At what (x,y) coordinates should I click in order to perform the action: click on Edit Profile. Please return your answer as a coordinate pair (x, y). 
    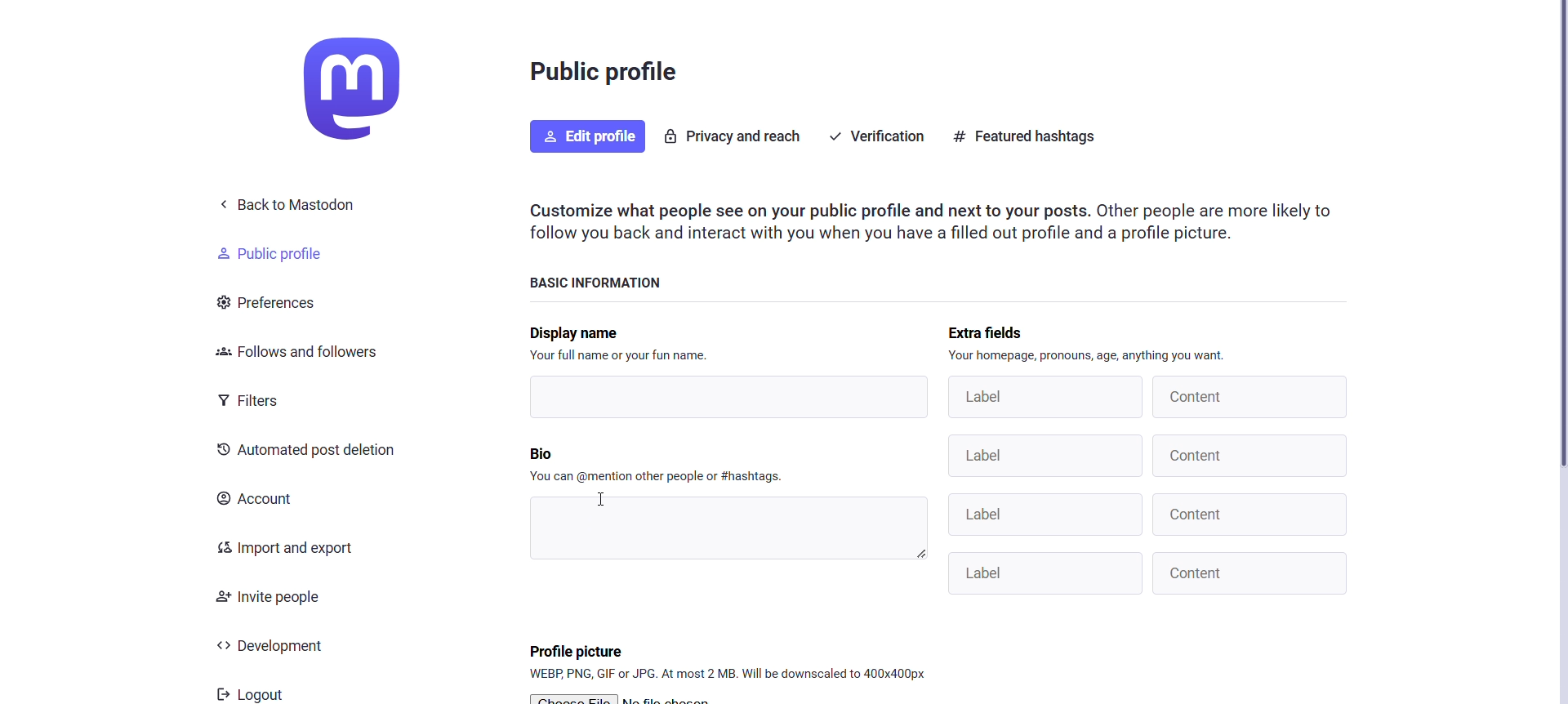
    Looking at the image, I should click on (585, 136).